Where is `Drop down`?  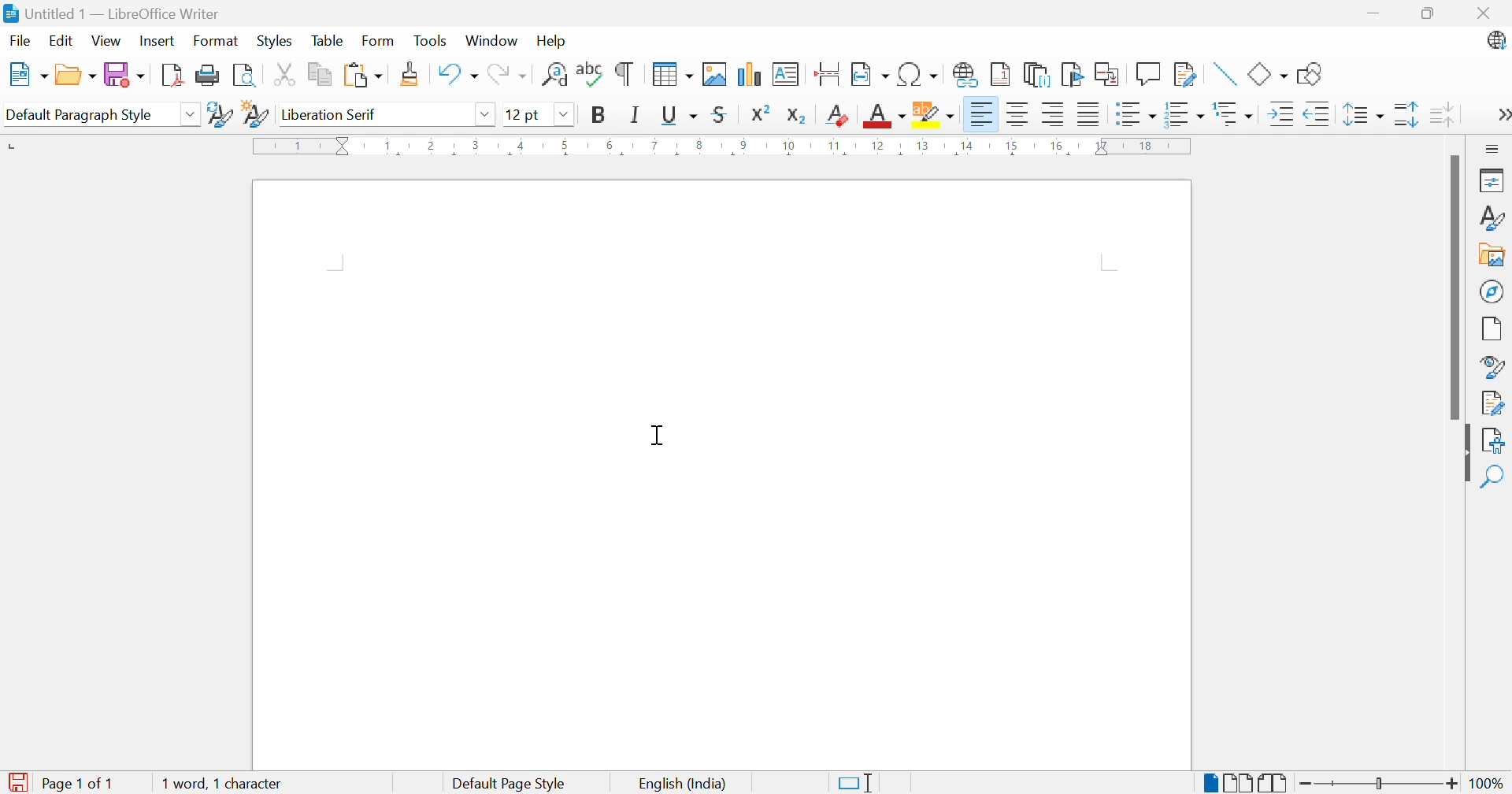
Drop down is located at coordinates (566, 115).